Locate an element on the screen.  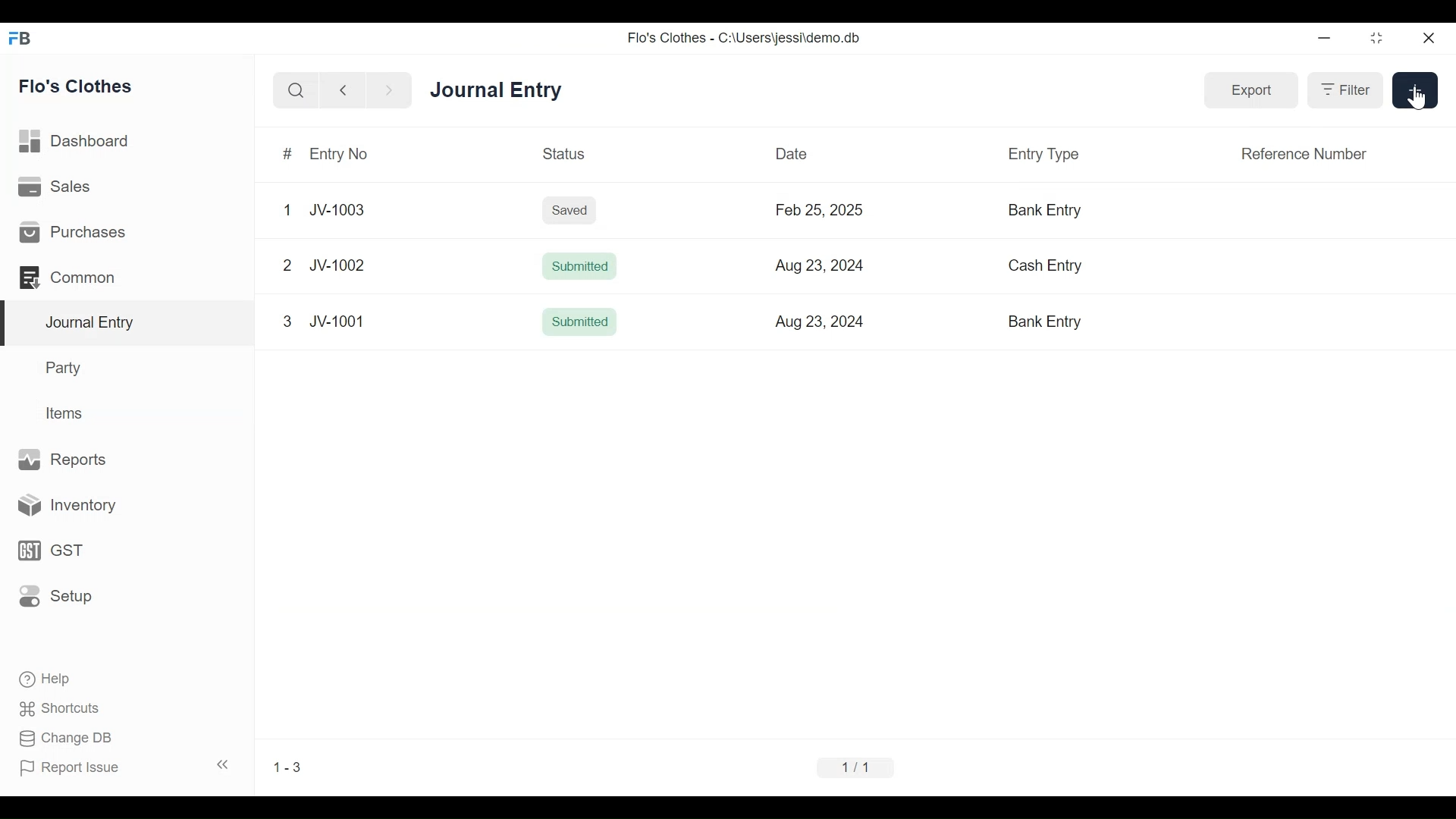
Export is located at coordinates (1256, 89).